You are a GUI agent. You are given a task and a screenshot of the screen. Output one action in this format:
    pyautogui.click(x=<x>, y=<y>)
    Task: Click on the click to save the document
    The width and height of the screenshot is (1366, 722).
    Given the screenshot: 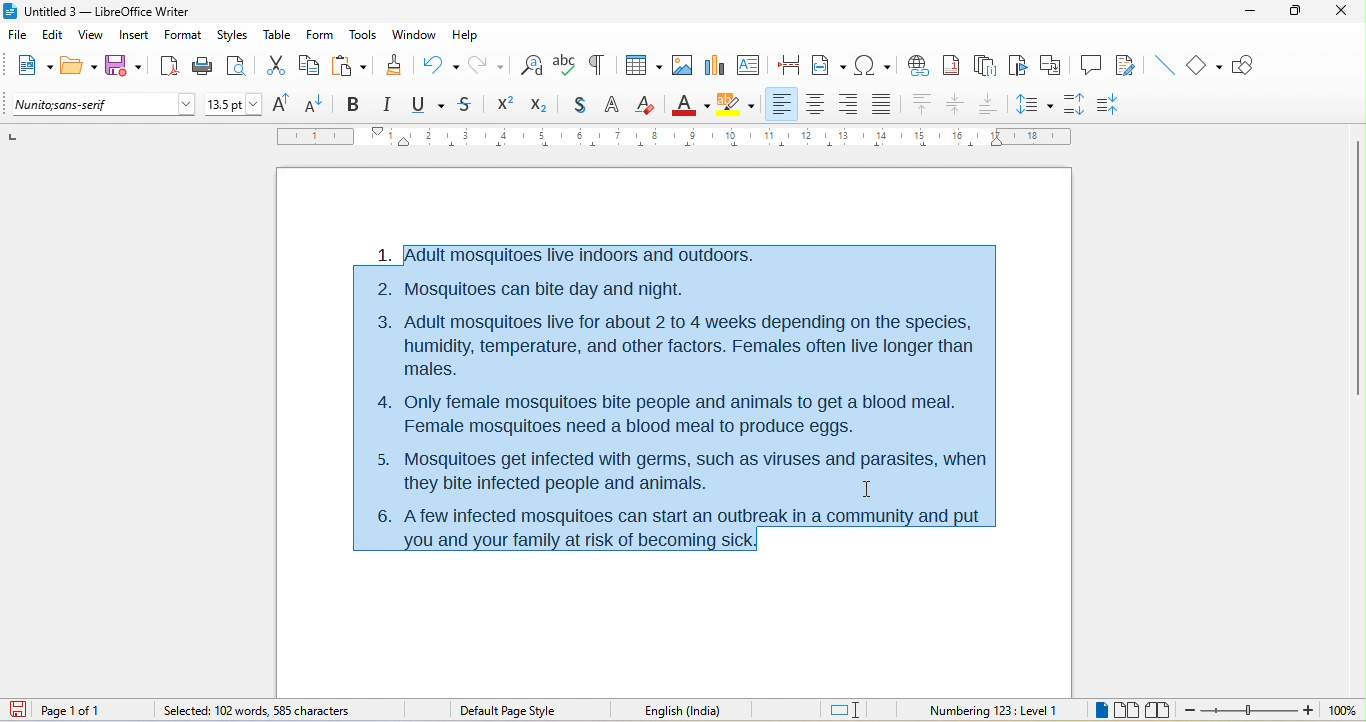 What is the action you would take?
    pyautogui.click(x=23, y=711)
    